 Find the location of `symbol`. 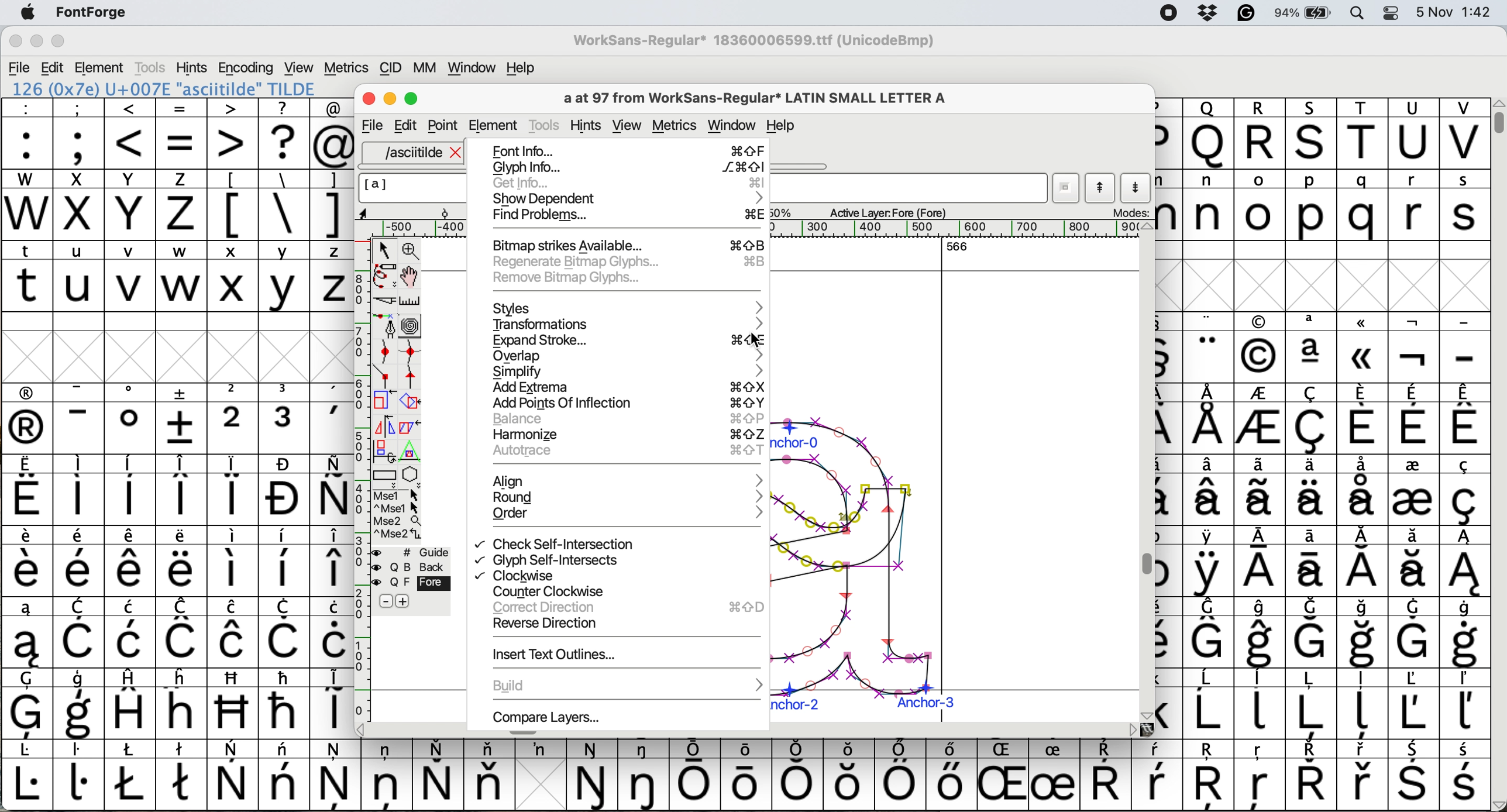

symbol is located at coordinates (234, 490).